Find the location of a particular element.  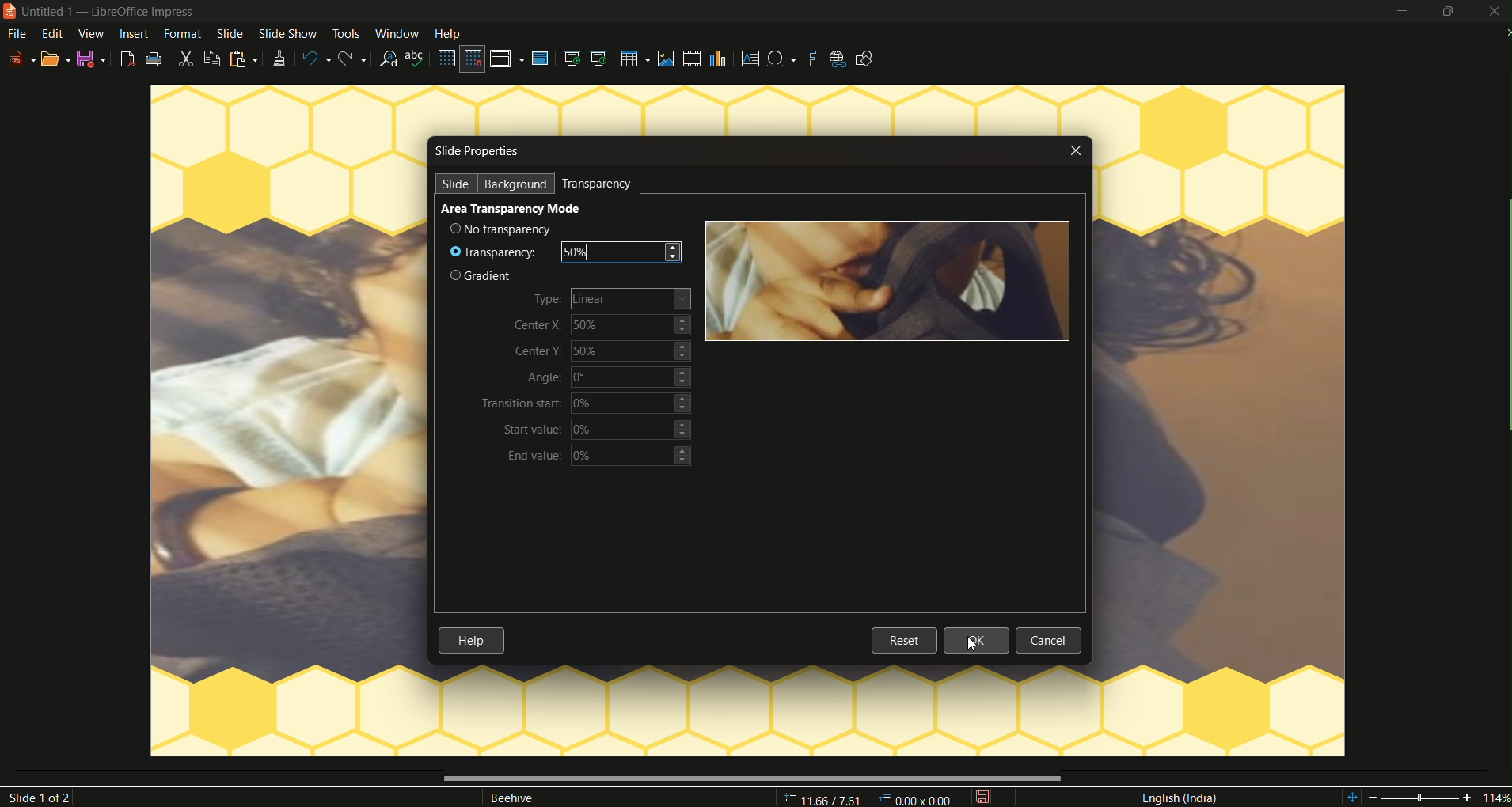

transparency is located at coordinates (498, 252).